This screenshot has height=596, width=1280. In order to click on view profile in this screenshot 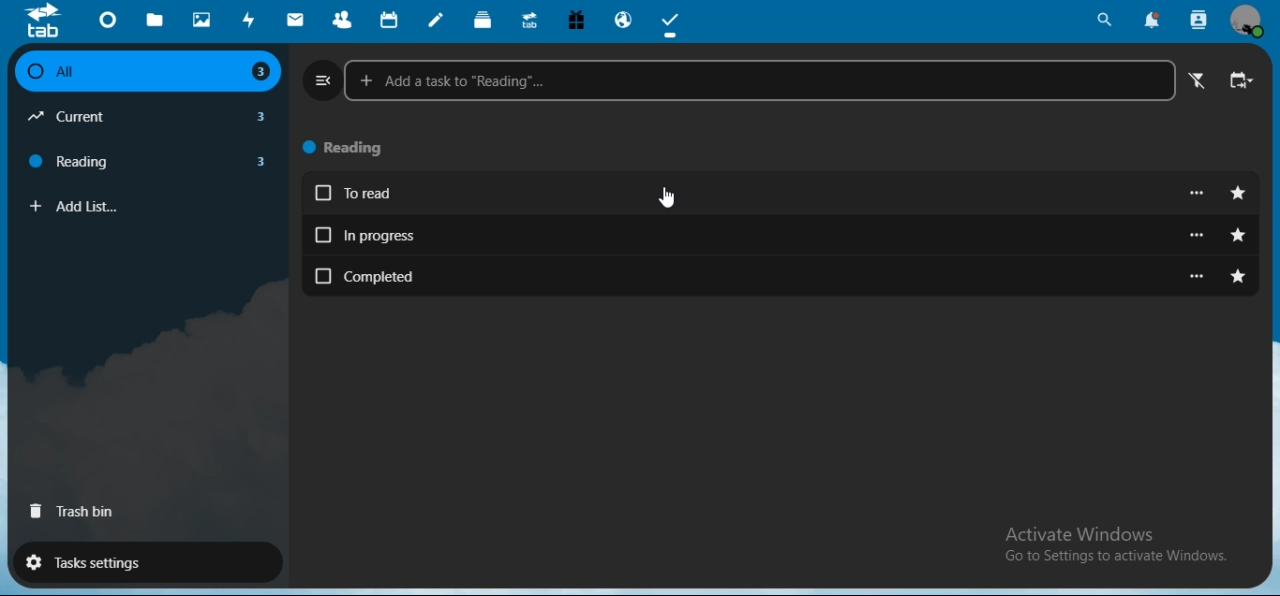, I will do `click(1250, 24)`.